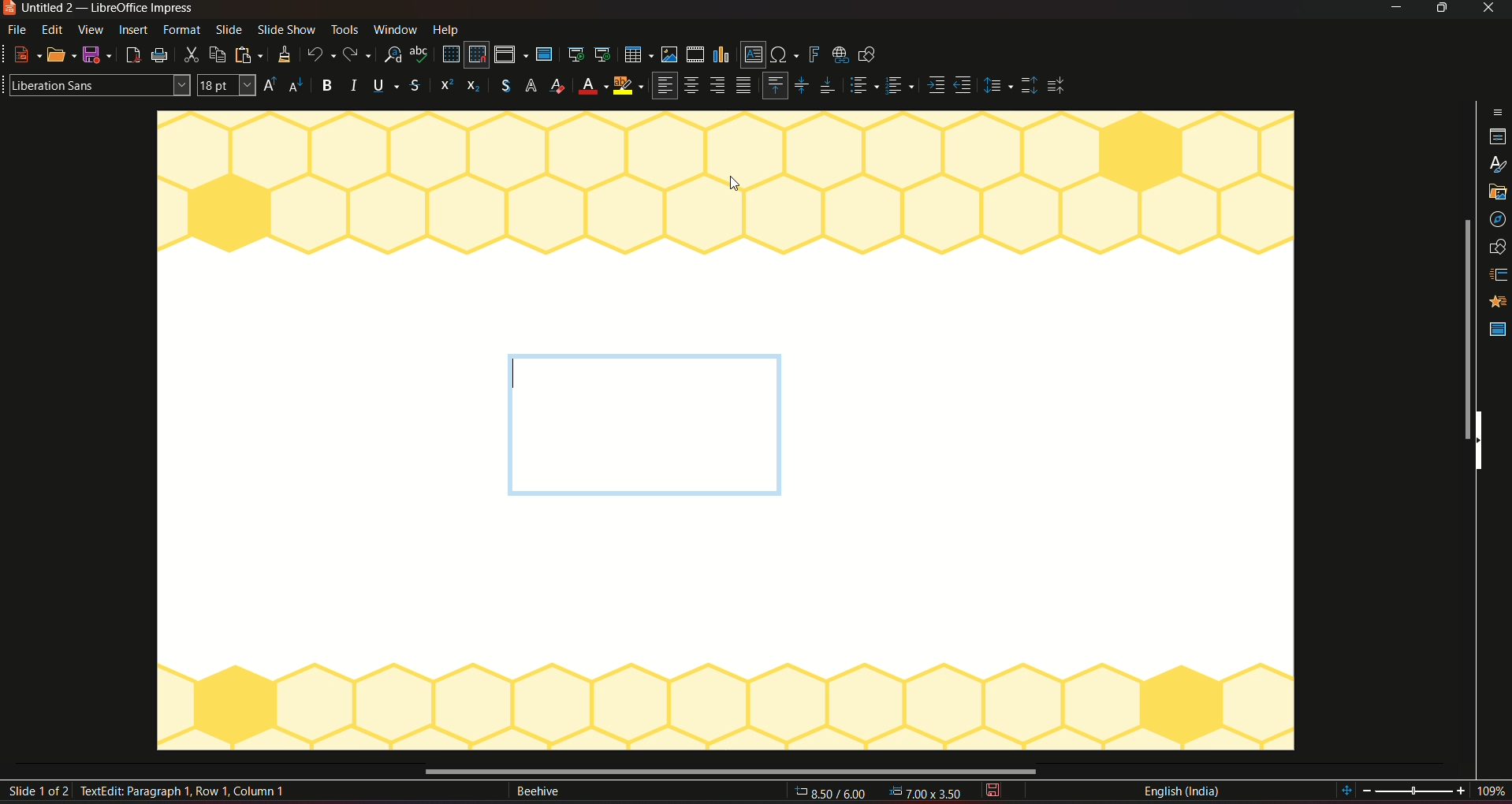 The height and width of the screenshot is (804, 1512). Describe the element at coordinates (814, 54) in the screenshot. I see `insert fontwork text` at that location.